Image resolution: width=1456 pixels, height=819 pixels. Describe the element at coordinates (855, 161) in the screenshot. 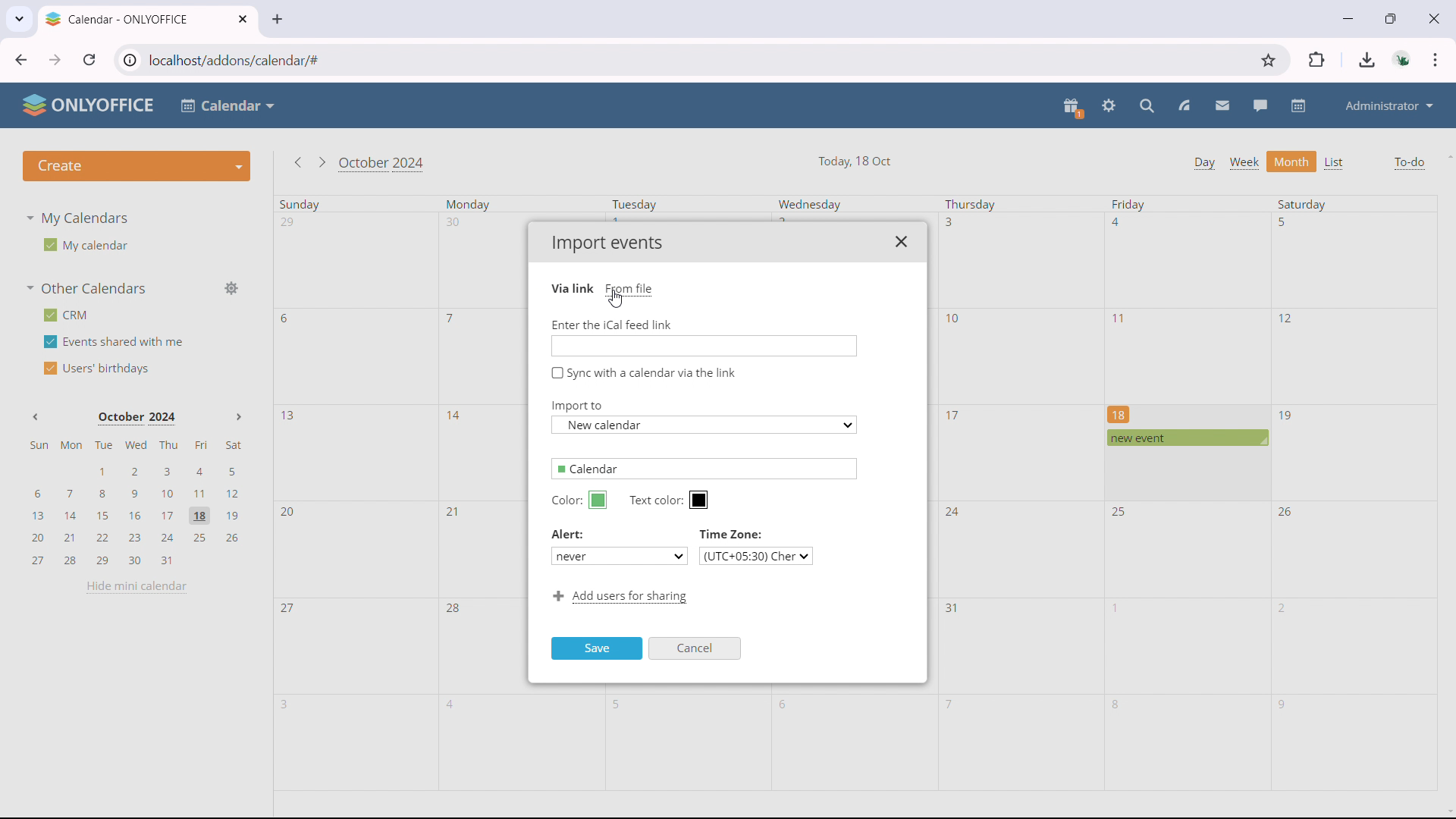

I see `Today, 18 Oct` at that location.